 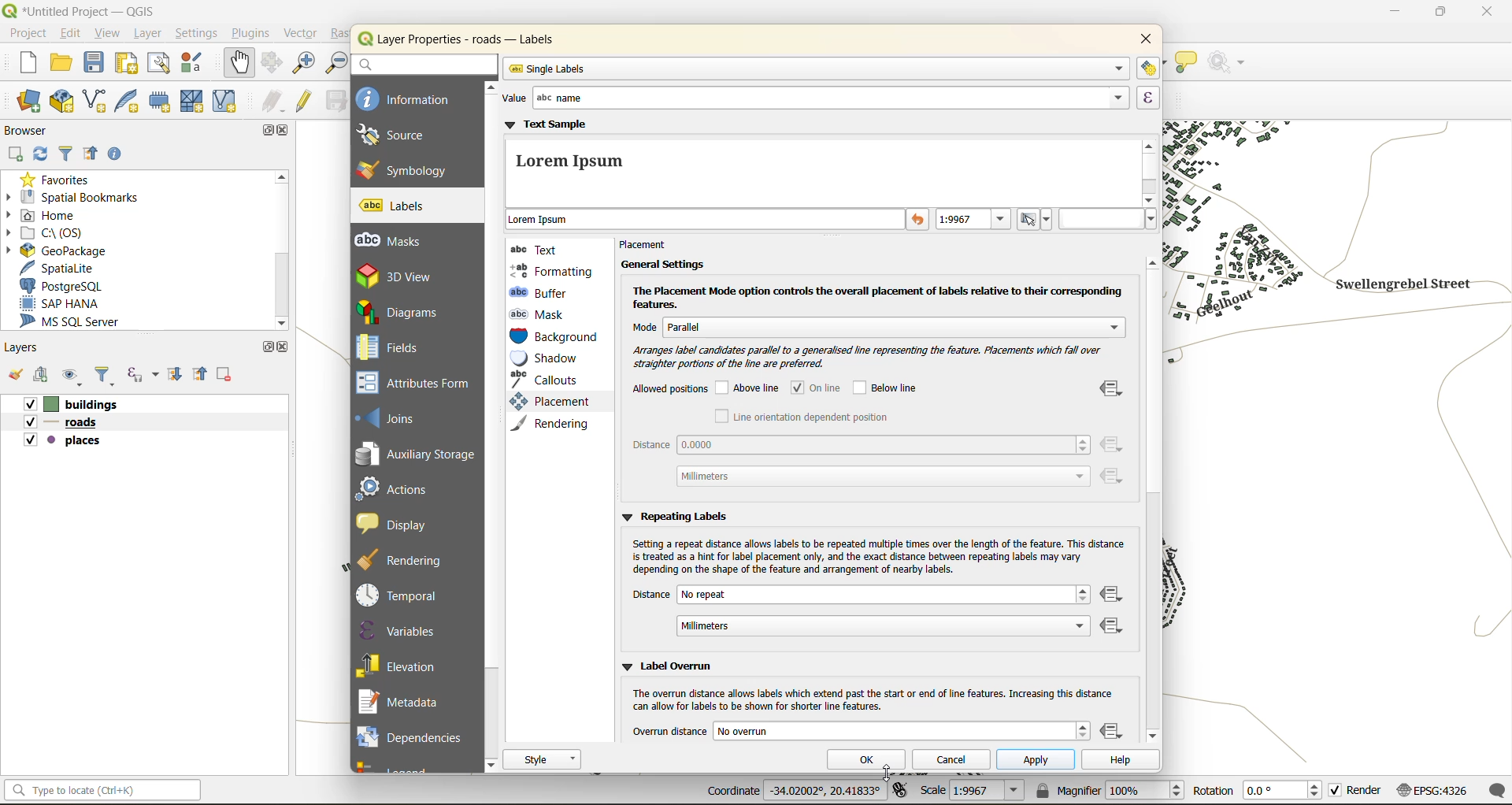 What do you see at coordinates (402, 169) in the screenshot?
I see `symbology` at bounding box center [402, 169].